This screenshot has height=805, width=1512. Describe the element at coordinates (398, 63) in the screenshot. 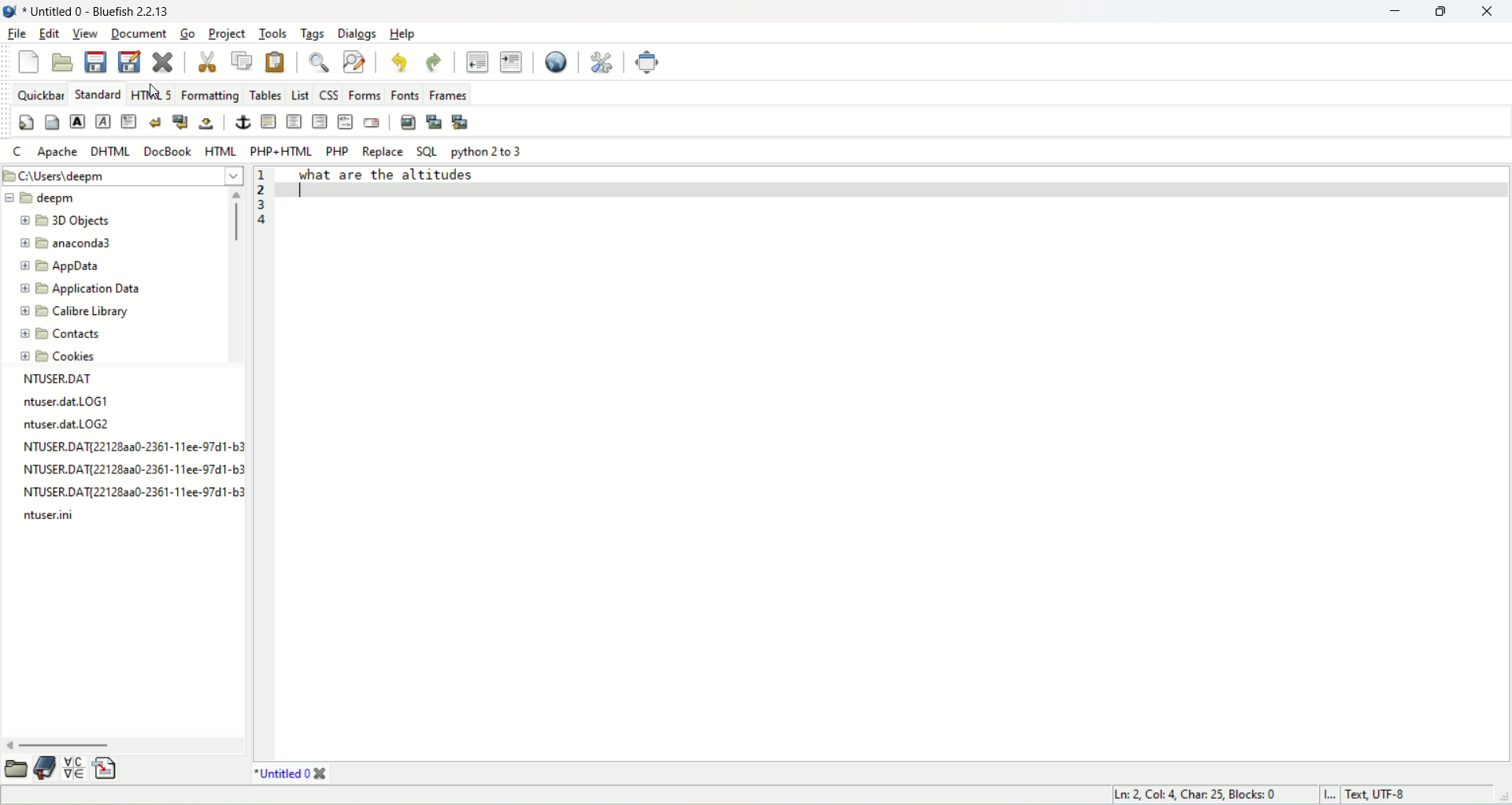

I see `undo` at that location.